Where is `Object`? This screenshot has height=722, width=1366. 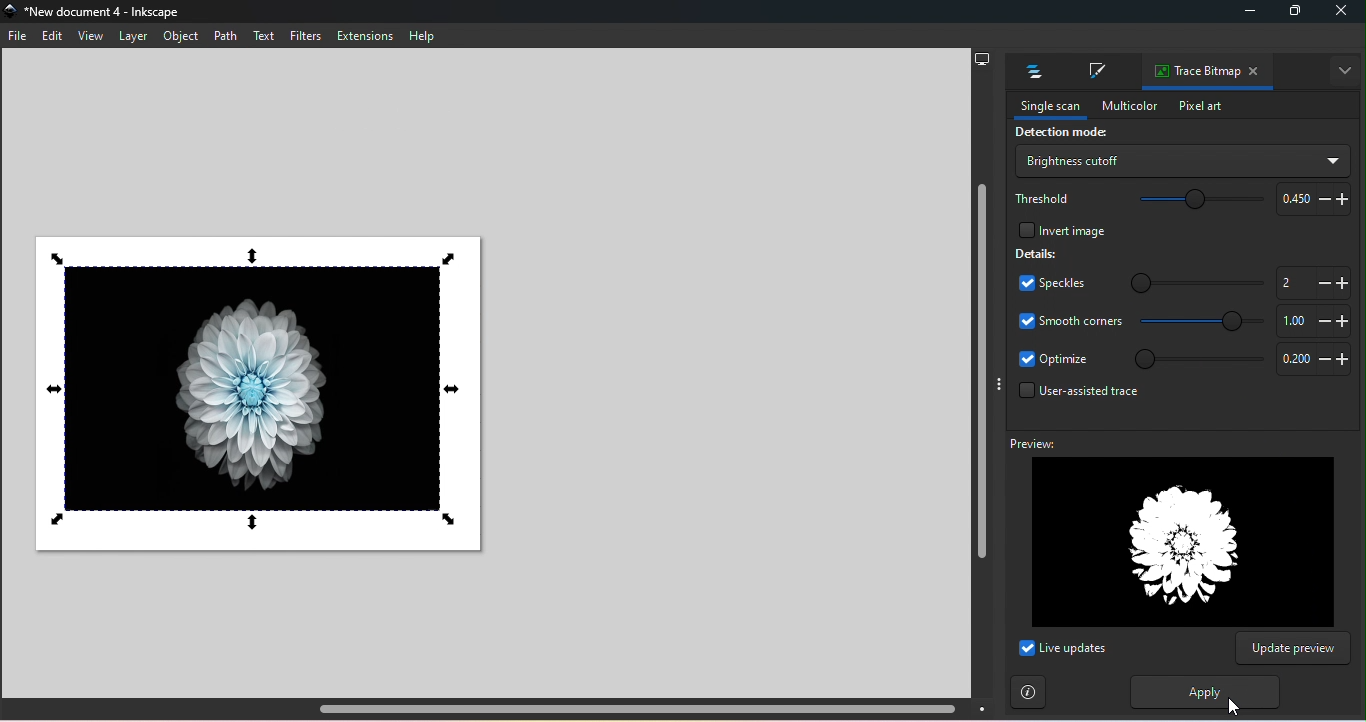
Object is located at coordinates (183, 38).